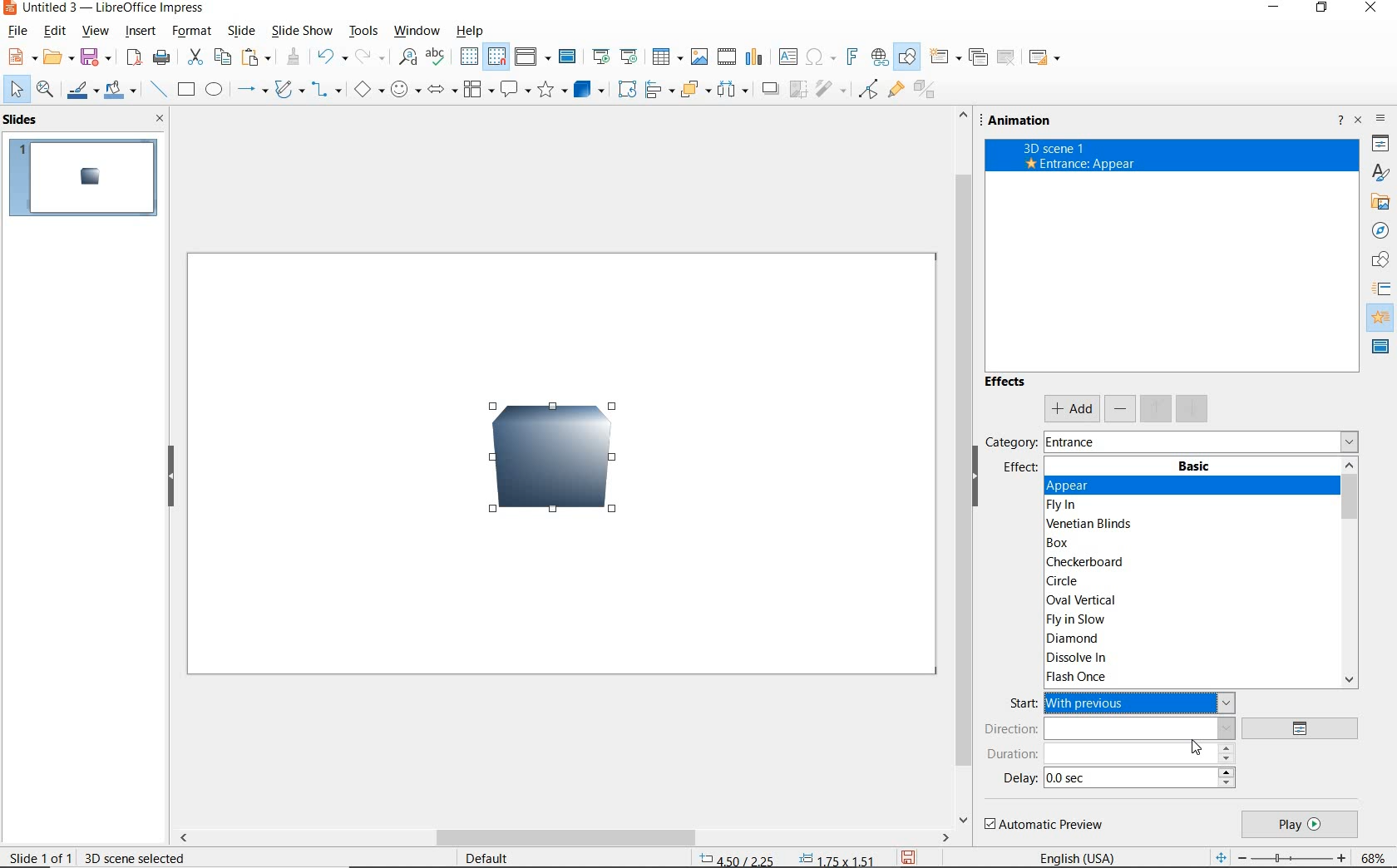 The image size is (1397, 868). I want to click on BASIC, so click(1195, 466).